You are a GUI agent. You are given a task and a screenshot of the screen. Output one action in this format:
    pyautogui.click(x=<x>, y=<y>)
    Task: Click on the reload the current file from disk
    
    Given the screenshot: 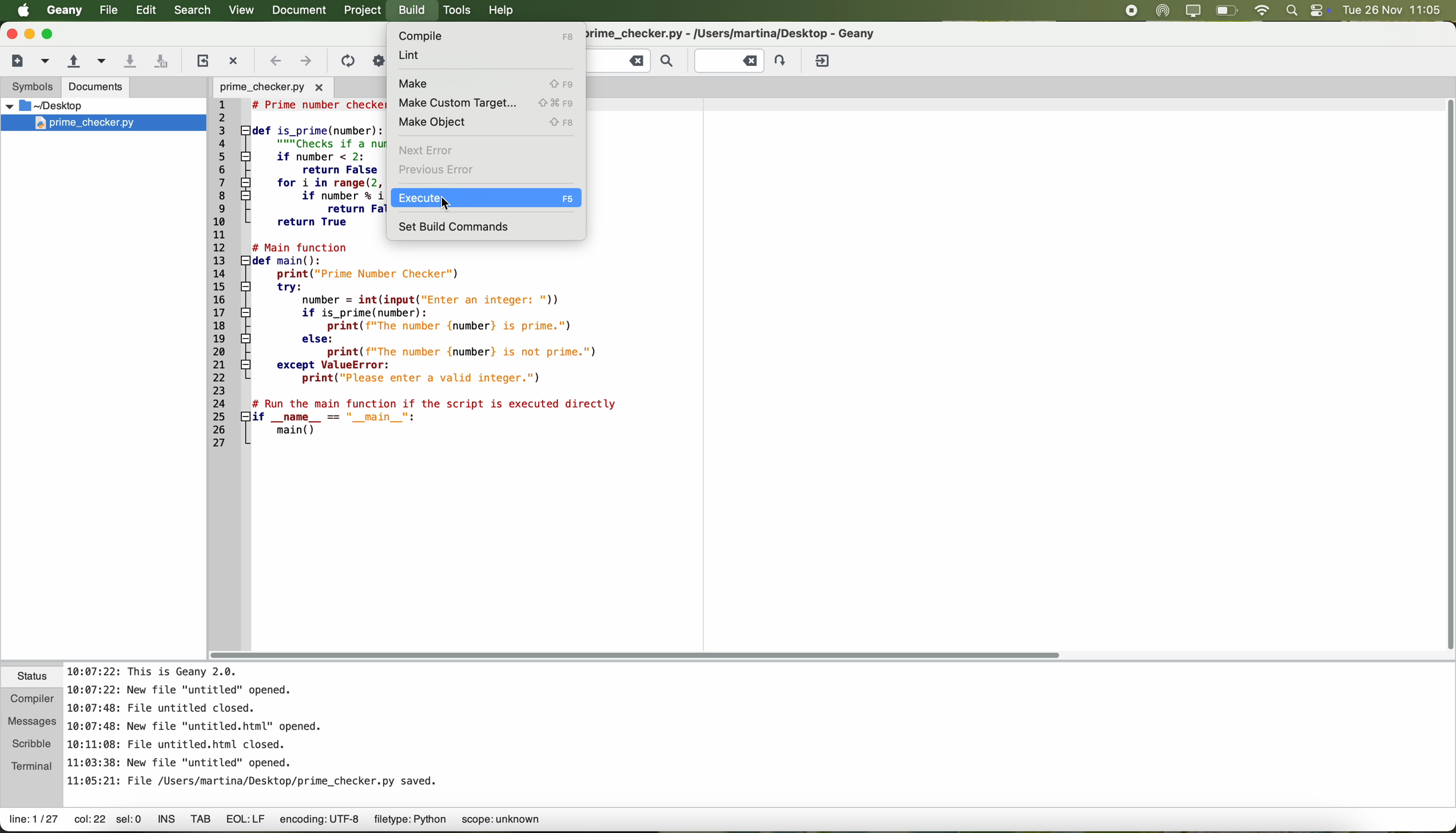 What is the action you would take?
    pyautogui.click(x=202, y=61)
    